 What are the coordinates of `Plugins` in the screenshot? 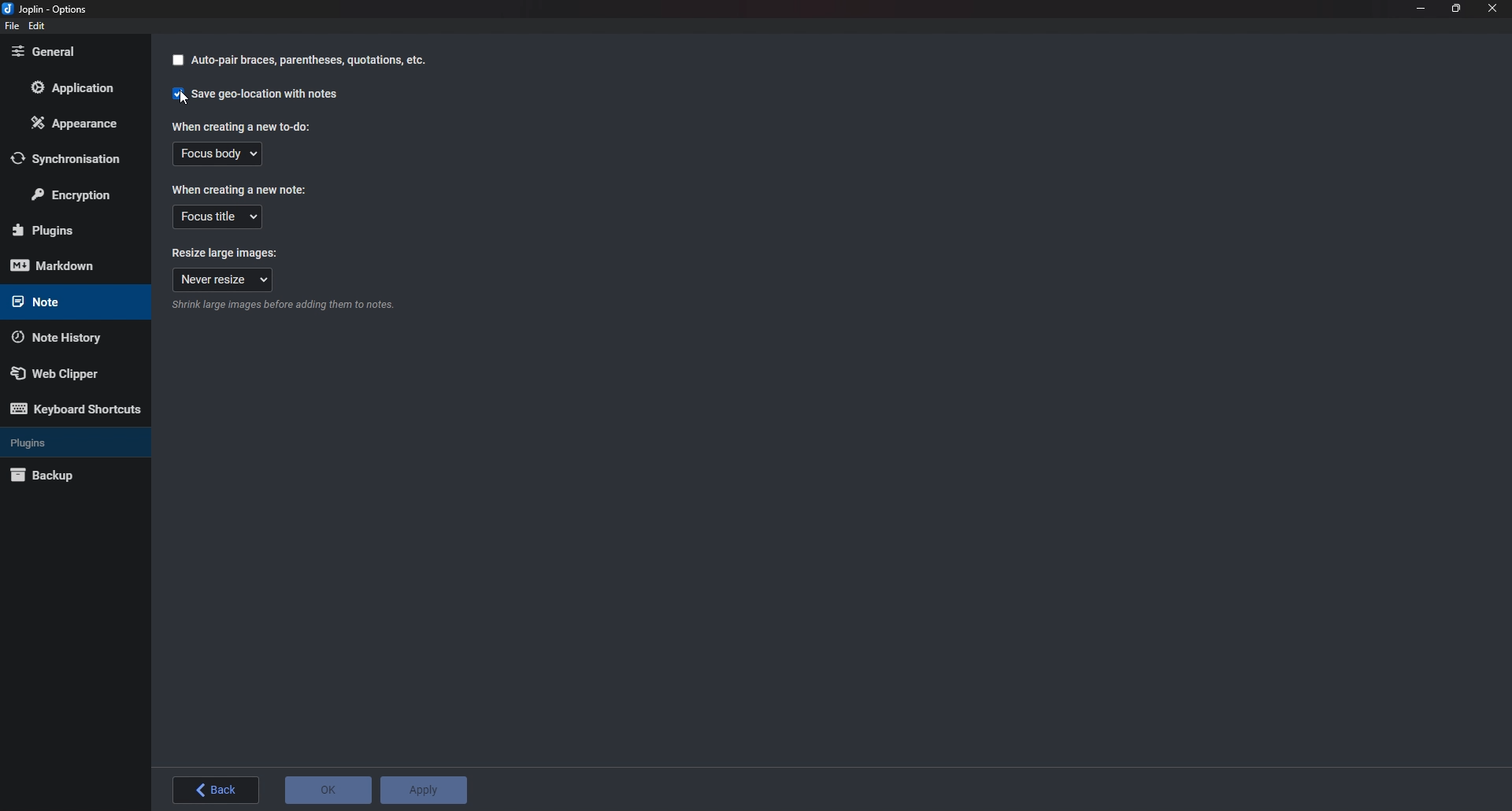 It's located at (69, 231).